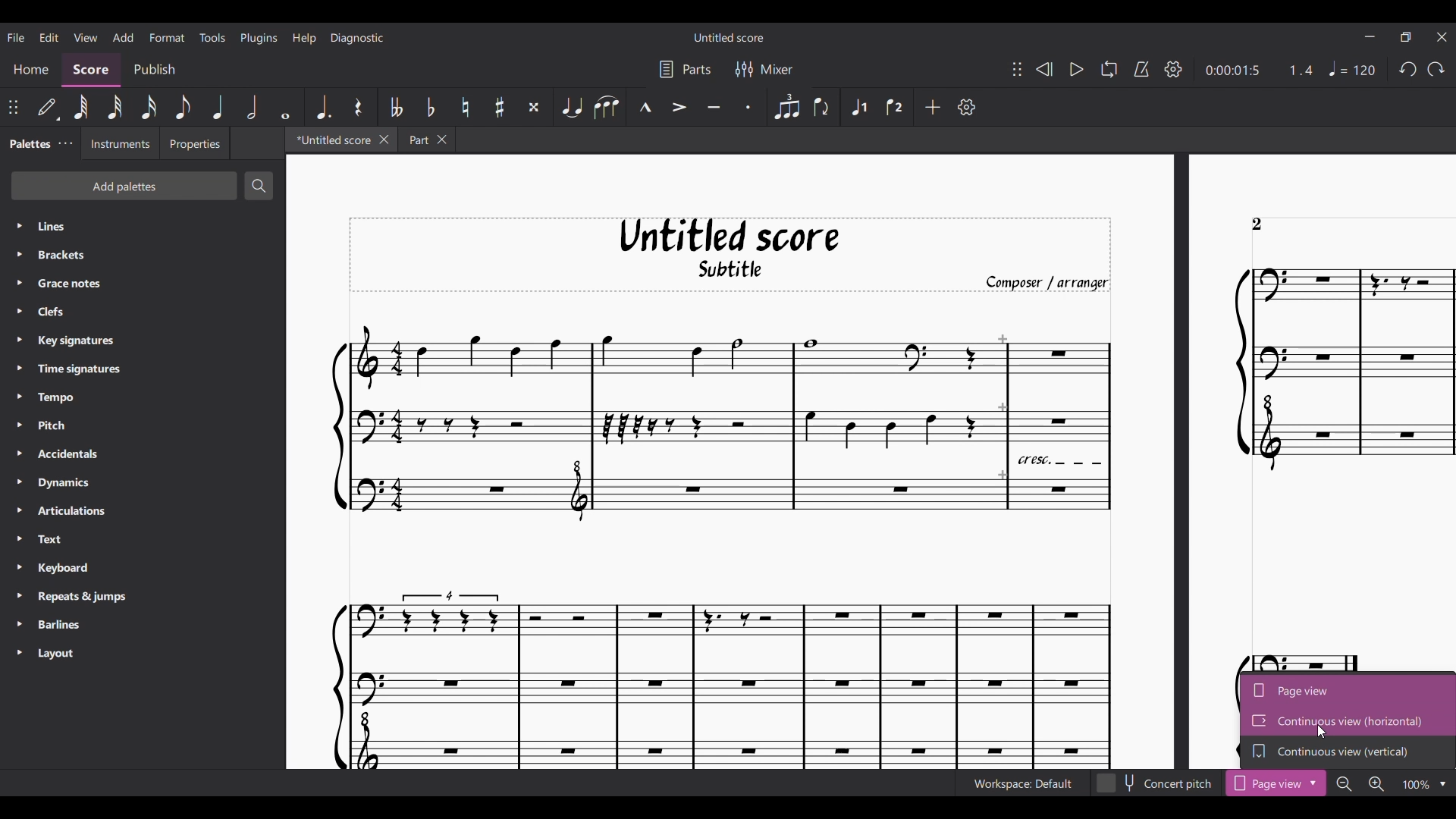 This screenshot has width=1456, height=819. What do you see at coordinates (753, 536) in the screenshot?
I see `Current score` at bounding box center [753, 536].